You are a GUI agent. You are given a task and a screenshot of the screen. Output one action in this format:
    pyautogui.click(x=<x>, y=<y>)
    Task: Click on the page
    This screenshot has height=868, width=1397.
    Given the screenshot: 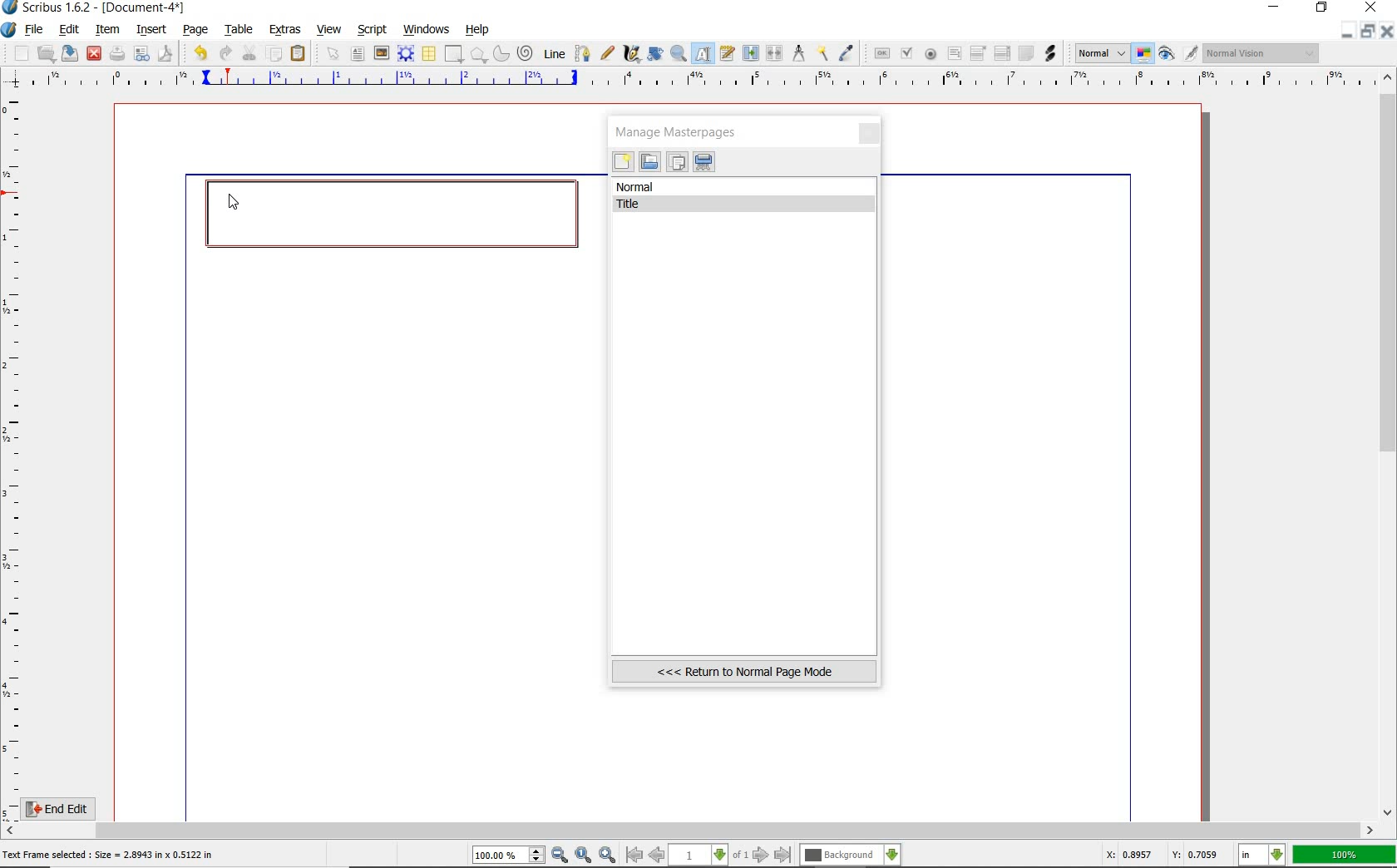 What is the action you would take?
    pyautogui.click(x=196, y=28)
    